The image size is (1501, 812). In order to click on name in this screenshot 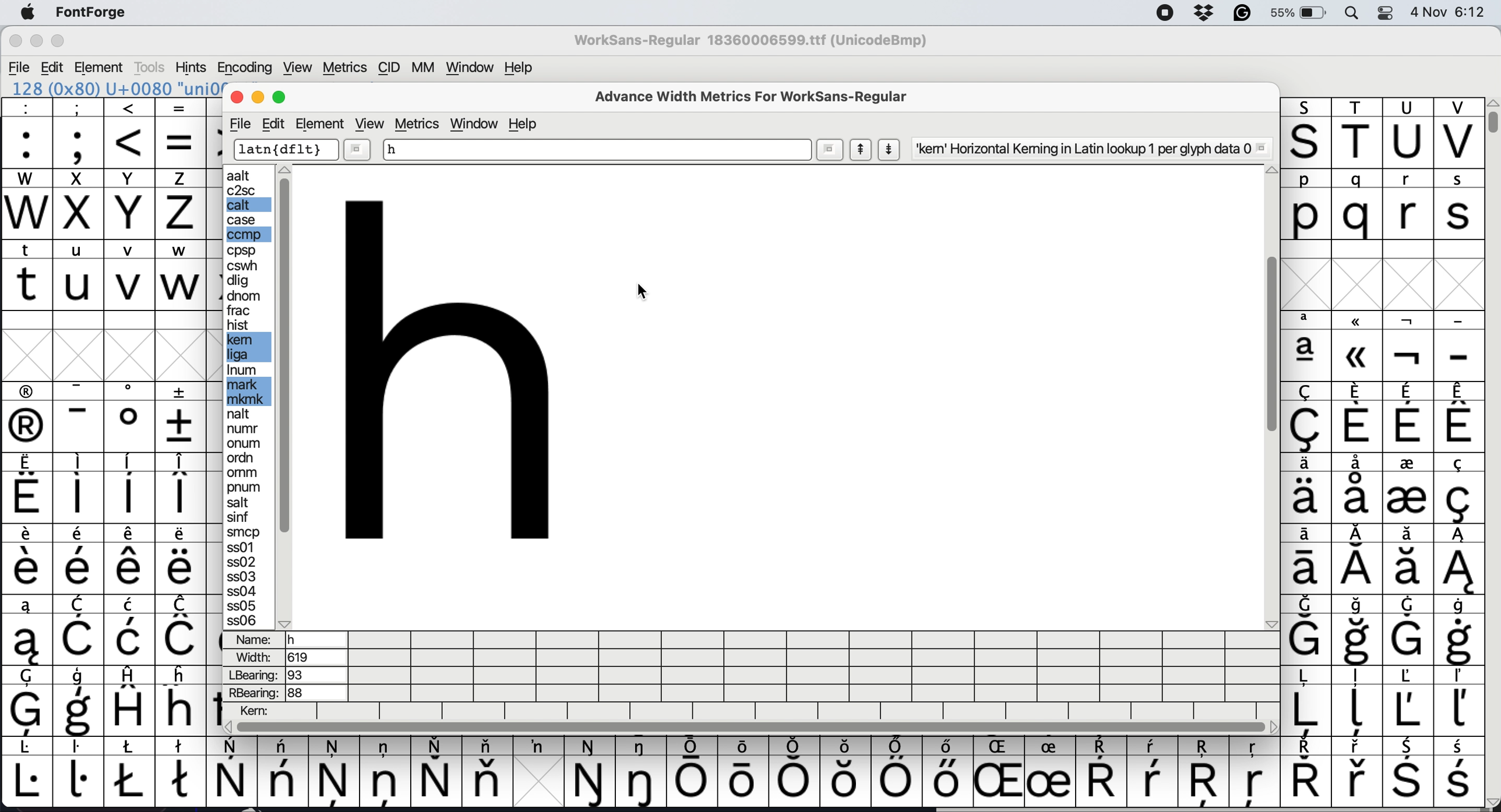, I will do `click(280, 640)`.